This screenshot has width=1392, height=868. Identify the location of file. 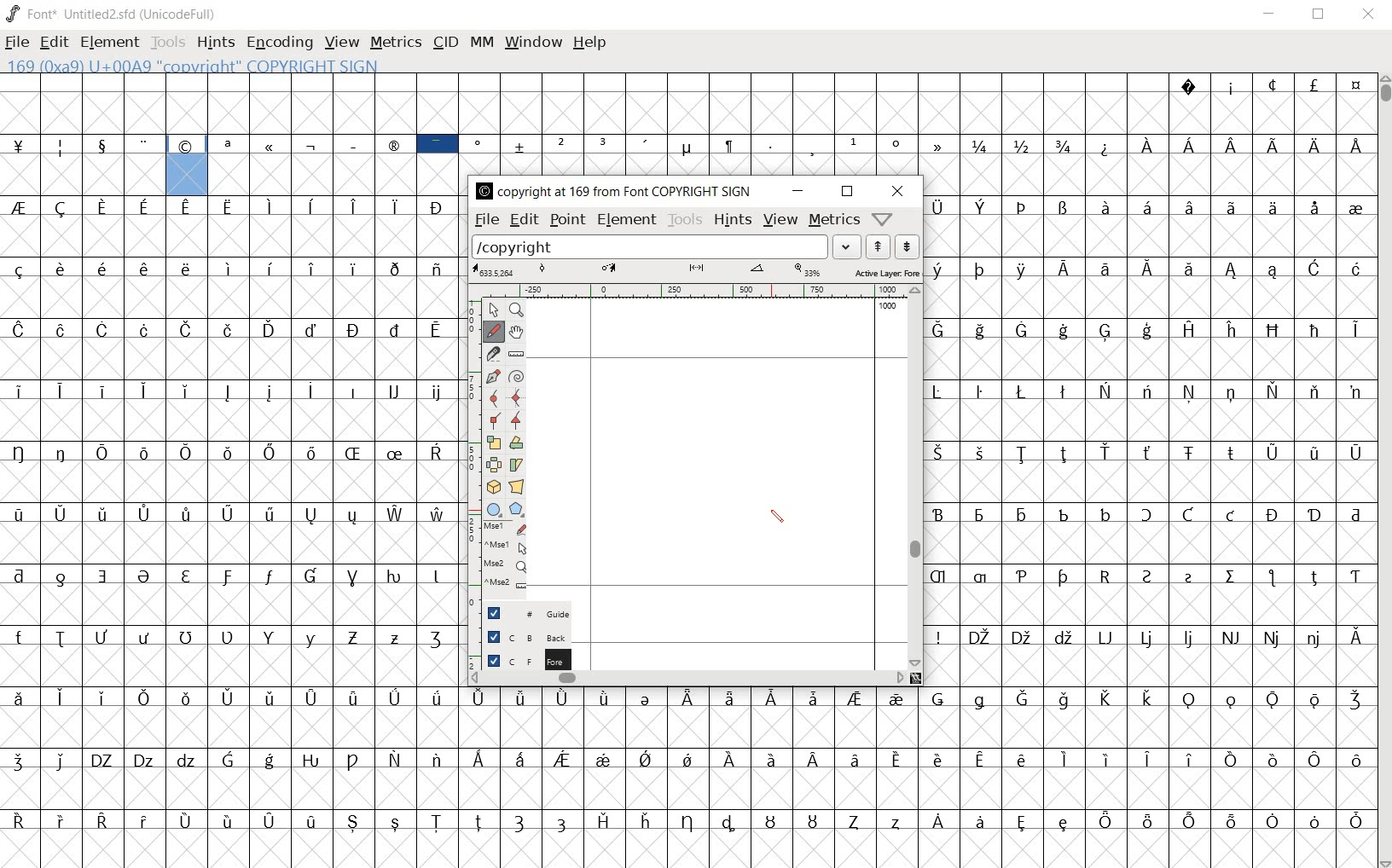
(485, 220).